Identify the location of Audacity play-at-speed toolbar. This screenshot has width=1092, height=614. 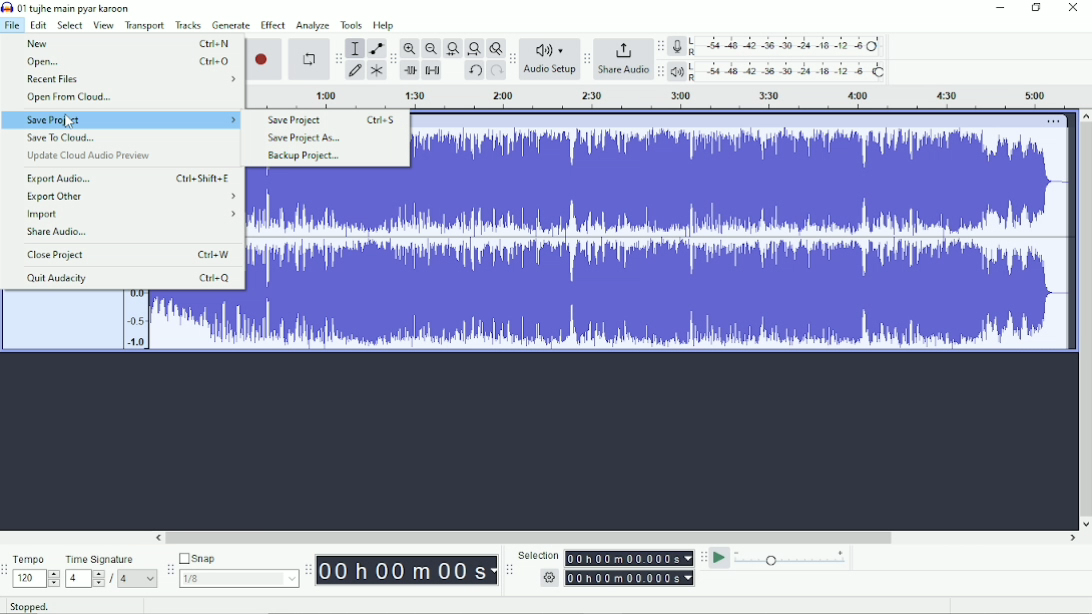
(703, 558).